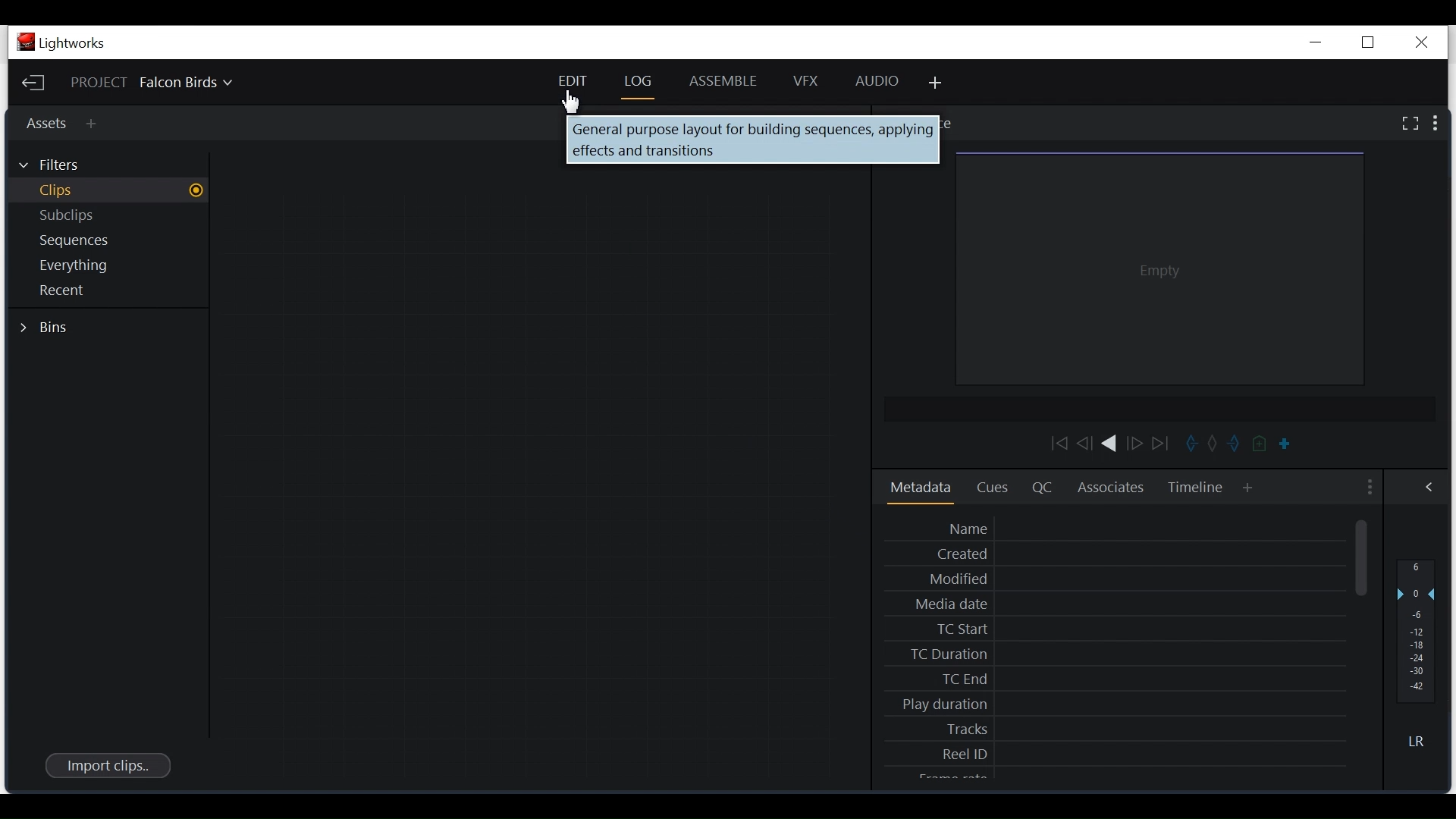 The height and width of the screenshot is (819, 1456). Describe the element at coordinates (169, 84) in the screenshot. I see `Show/change current project details` at that location.